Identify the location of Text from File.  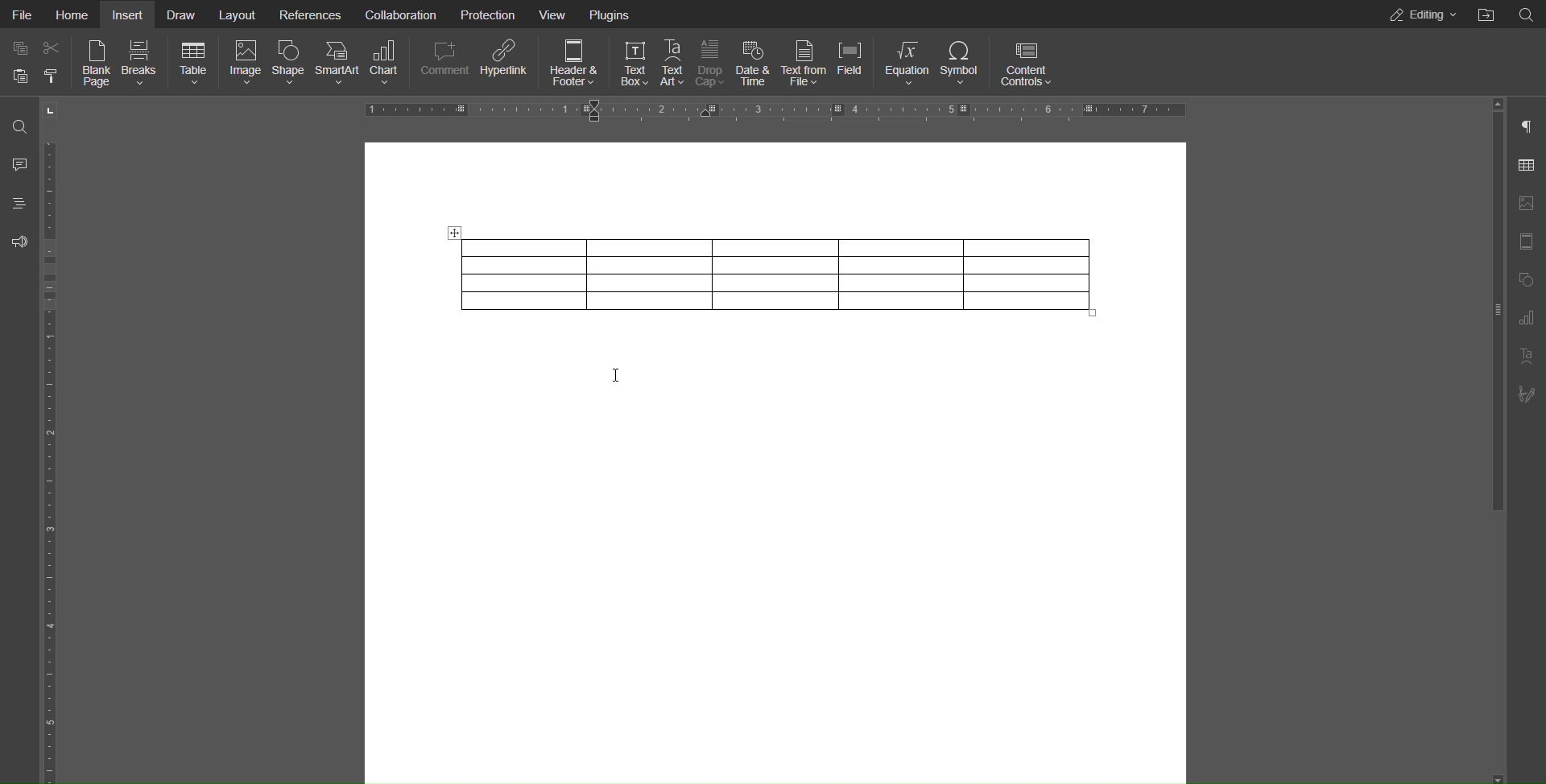
(804, 64).